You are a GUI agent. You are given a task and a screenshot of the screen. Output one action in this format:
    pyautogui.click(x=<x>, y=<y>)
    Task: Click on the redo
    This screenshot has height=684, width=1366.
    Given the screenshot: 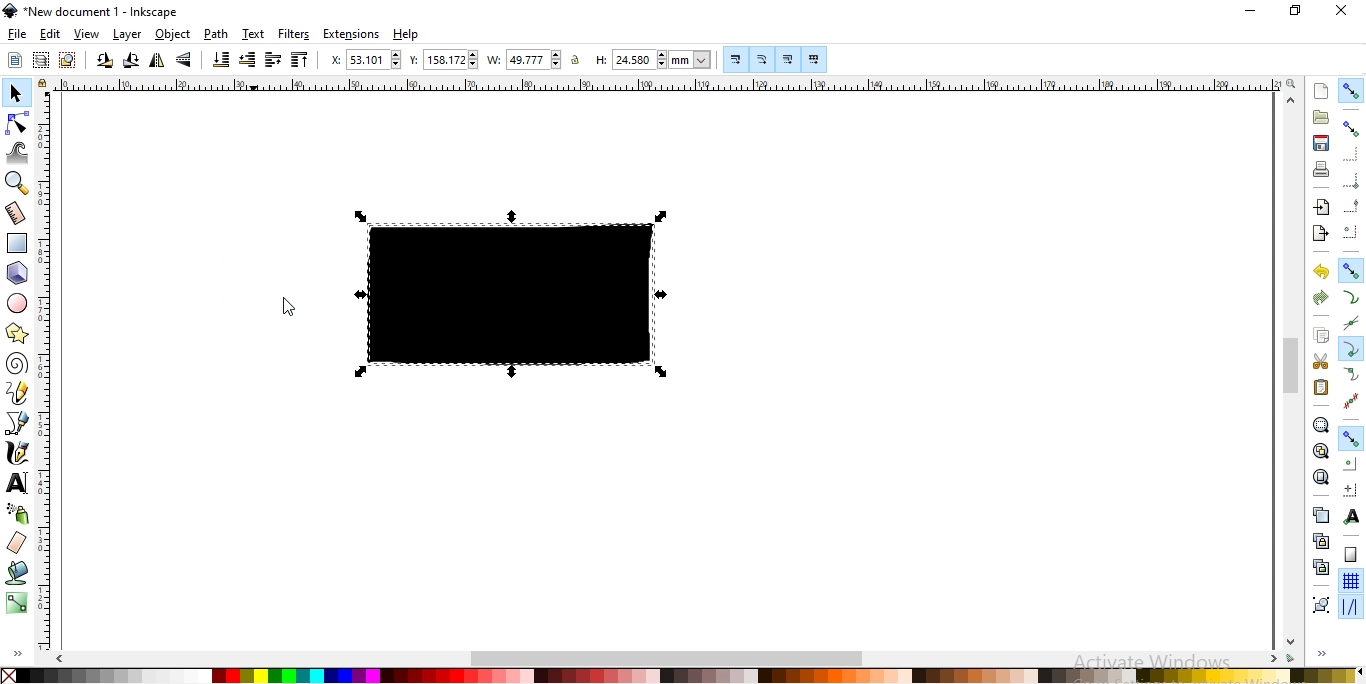 What is the action you would take?
    pyautogui.click(x=1320, y=297)
    